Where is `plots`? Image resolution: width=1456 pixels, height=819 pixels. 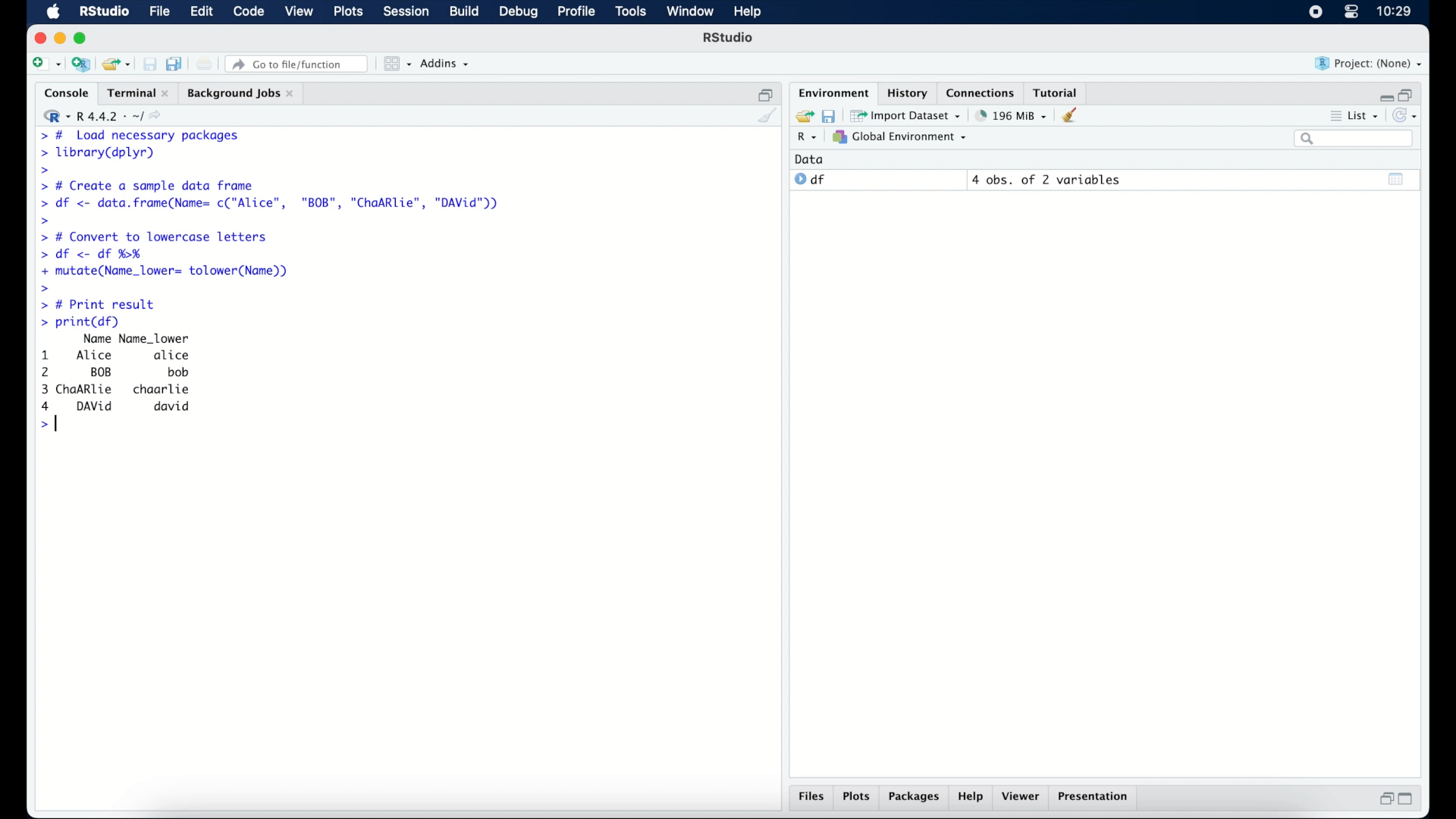 plots is located at coordinates (350, 13).